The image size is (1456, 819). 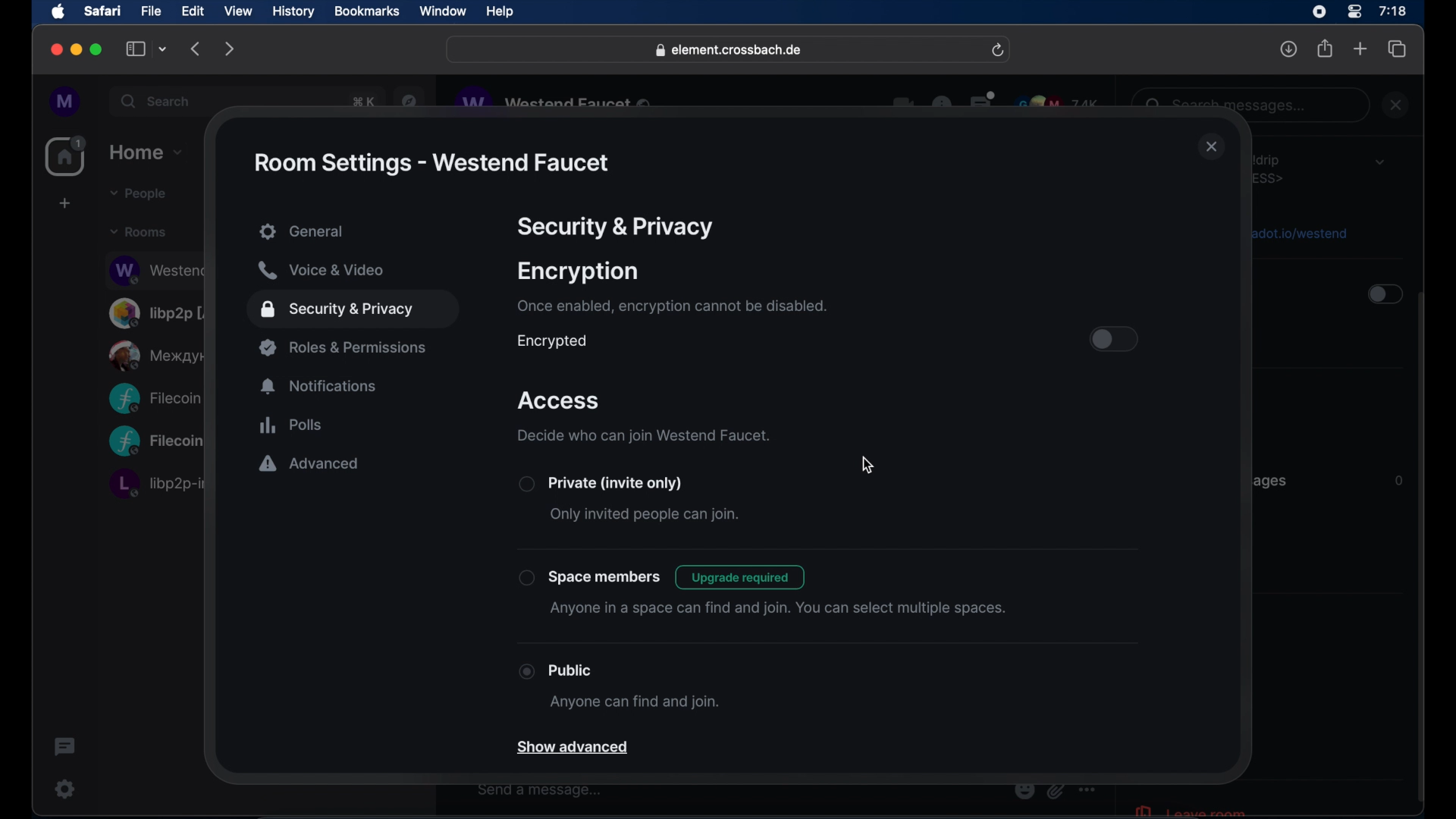 I want to click on general, so click(x=355, y=233).